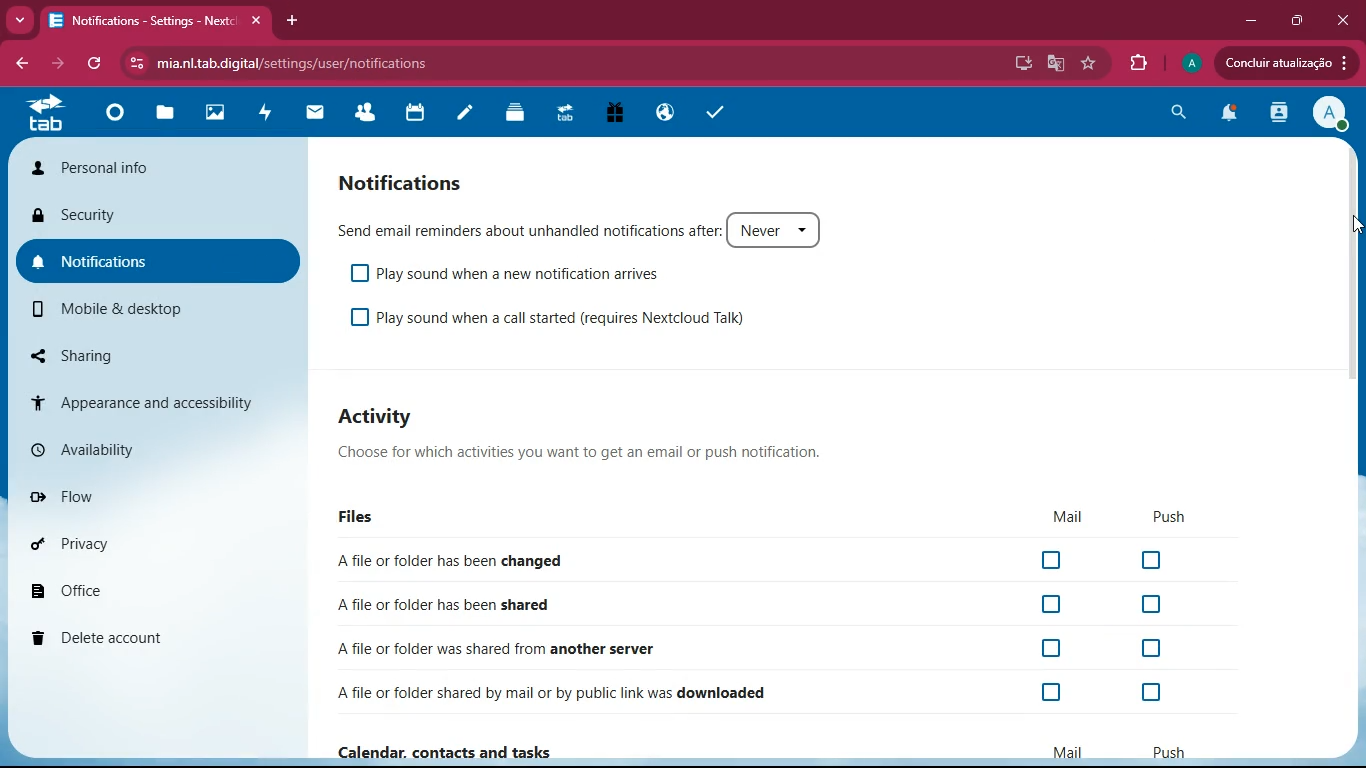  I want to click on off, so click(1144, 648).